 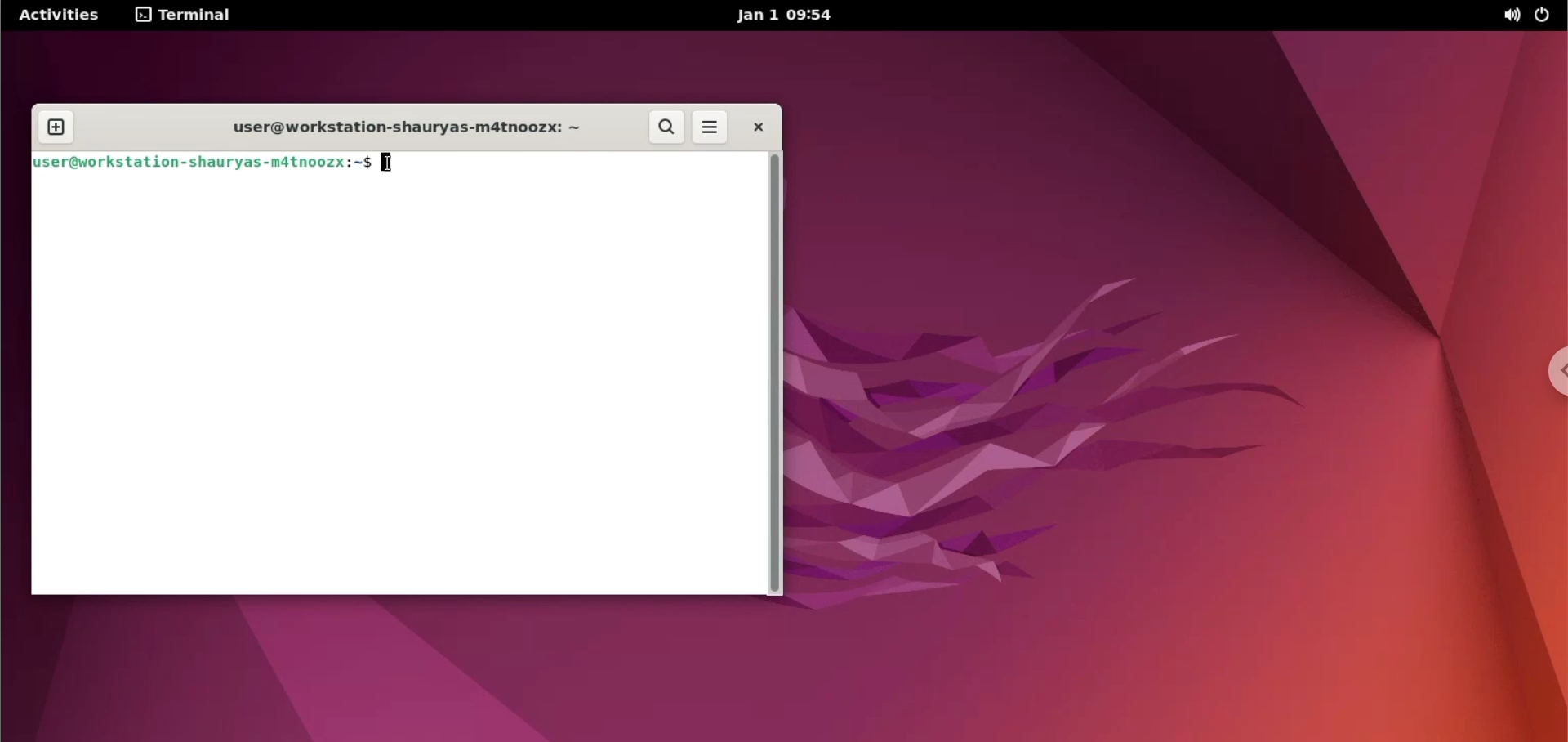 What do you see at coordinates (1552, 371) in the screenshot?
I see `chrome options` at bounding box center [1552, 371].